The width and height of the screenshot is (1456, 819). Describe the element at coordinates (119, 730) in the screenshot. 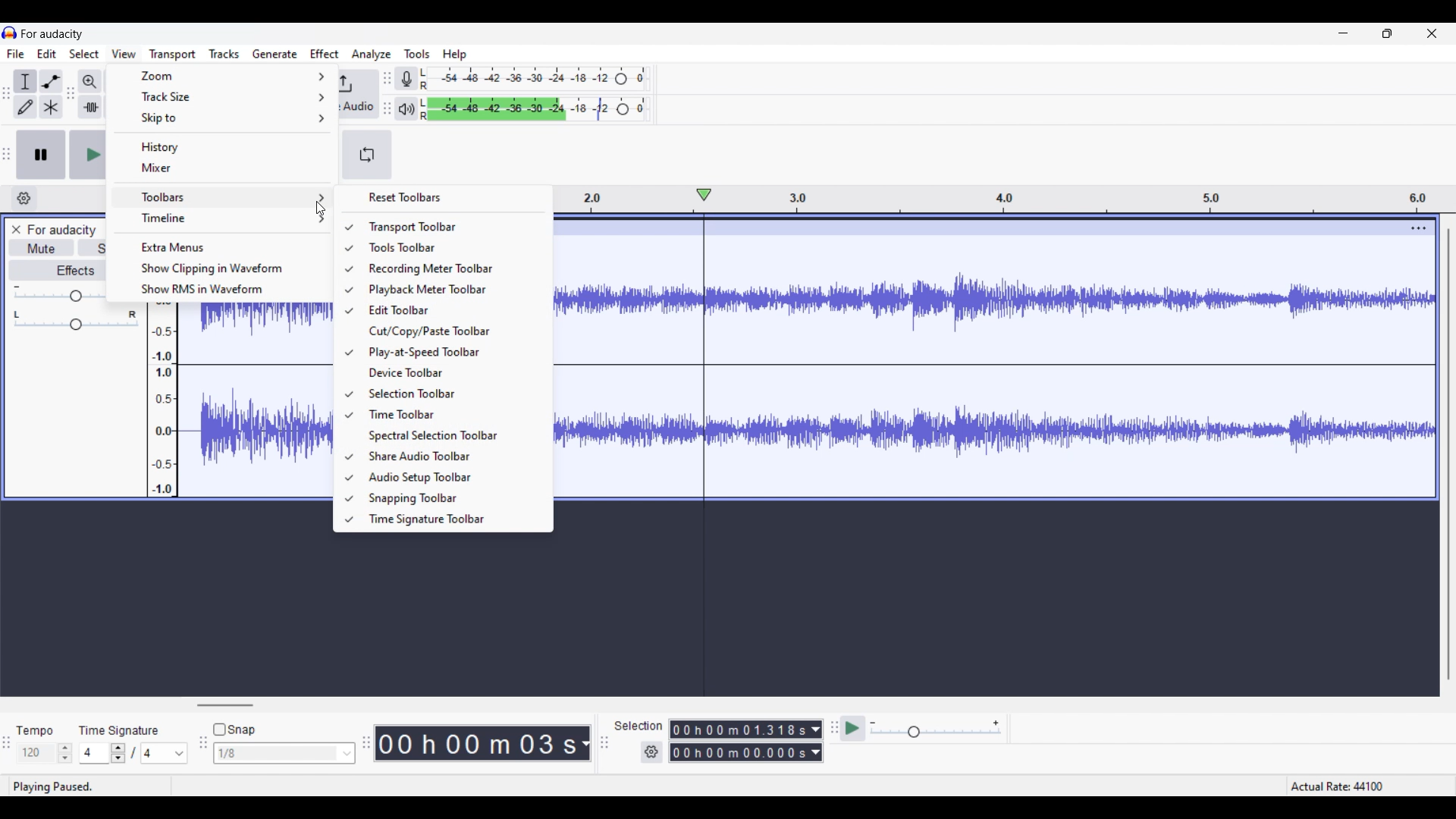

I see `Indicates Time Signature settings` at that location.